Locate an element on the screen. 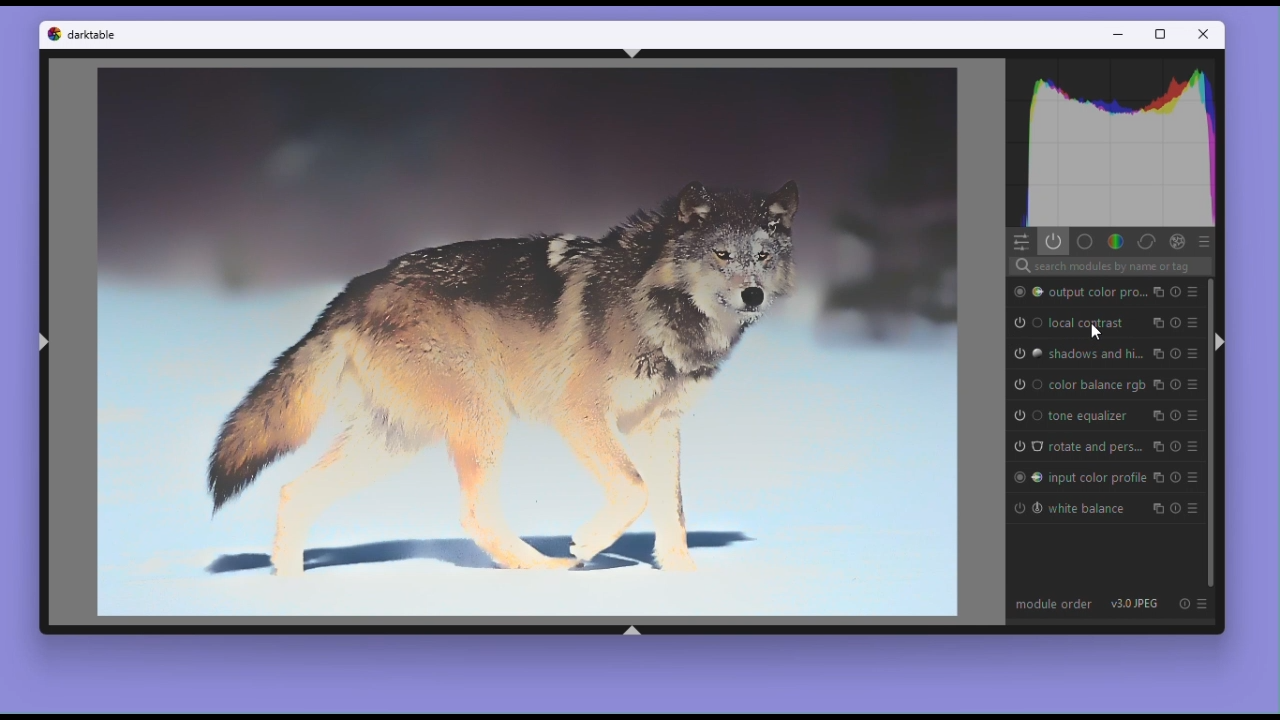 The image size is (1280, 720). reset parameters is located at coordinates (1172, 511).